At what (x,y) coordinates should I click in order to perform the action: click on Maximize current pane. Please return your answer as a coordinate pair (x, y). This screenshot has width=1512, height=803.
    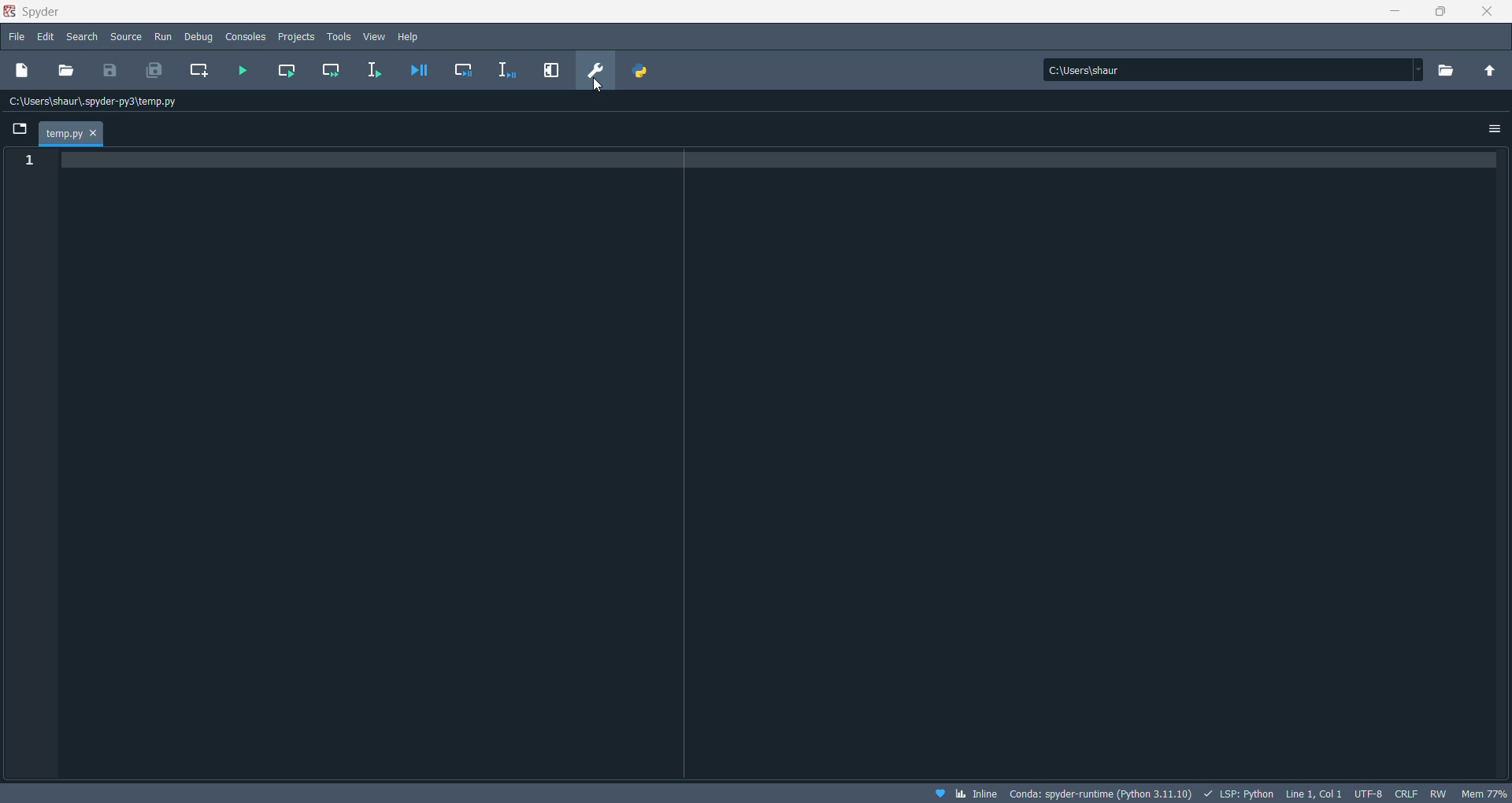
    Looking at the image, I should click on (551, 70).